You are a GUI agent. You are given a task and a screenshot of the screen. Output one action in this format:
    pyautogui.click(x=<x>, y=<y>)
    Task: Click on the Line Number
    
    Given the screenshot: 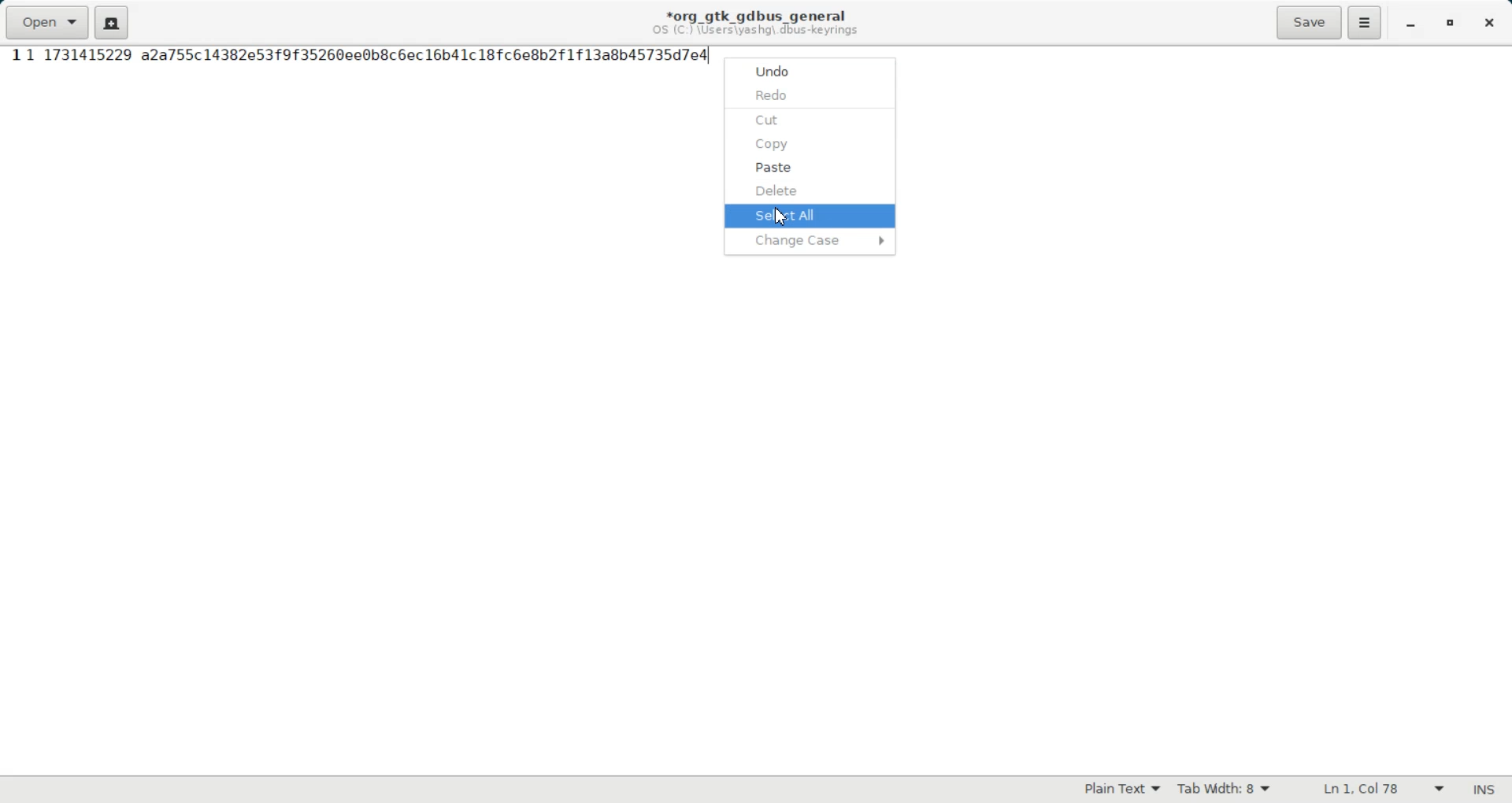 What is the action you would take?
    pyautogui.click(x=14, y=56)
    